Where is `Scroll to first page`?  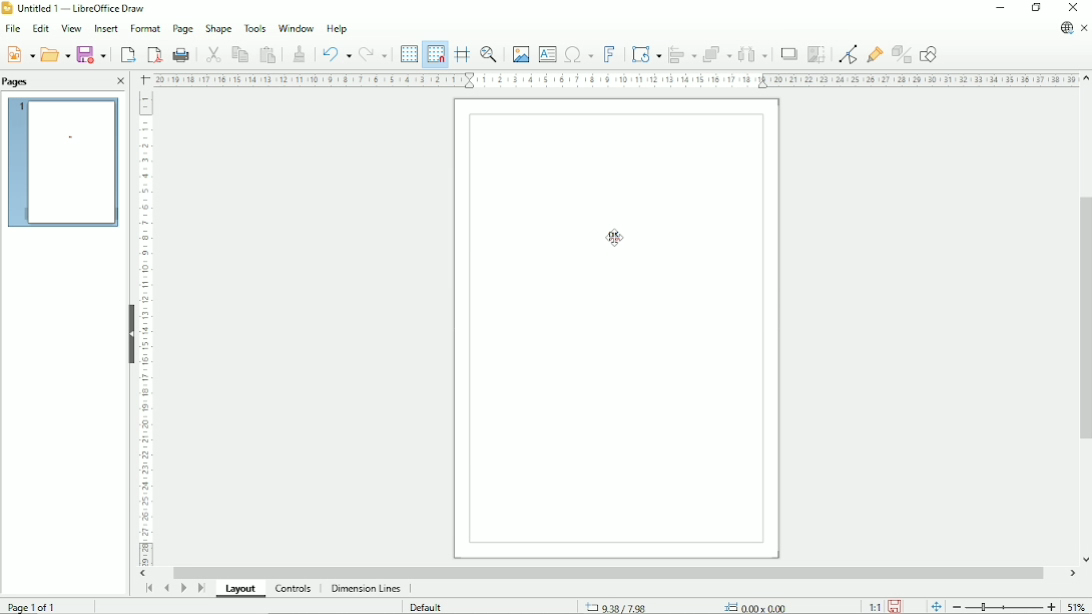 Scroll to first page is located at coordinates (148, 588).